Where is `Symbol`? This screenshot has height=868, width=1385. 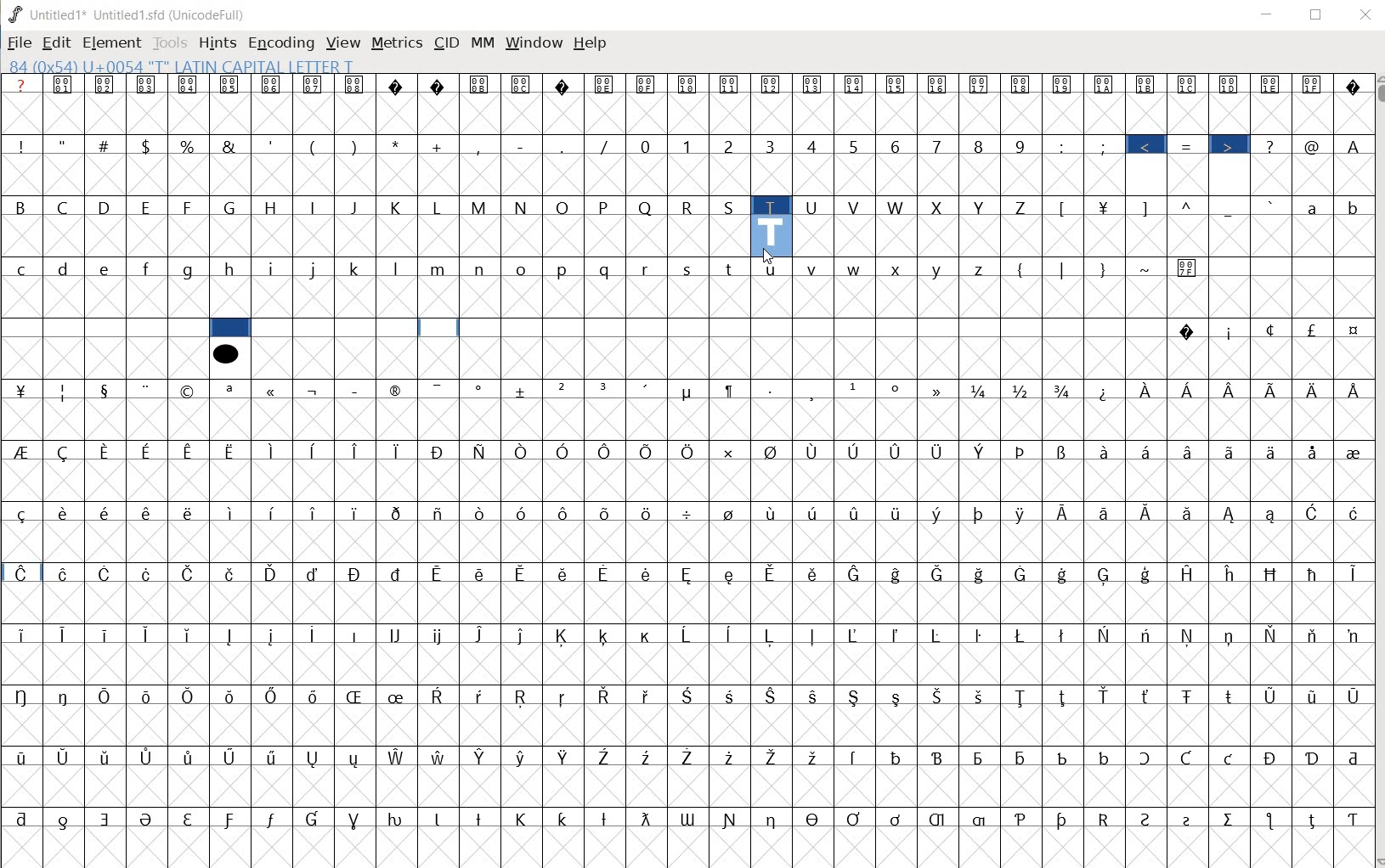
Symbol is located at coordinates (396, 512).